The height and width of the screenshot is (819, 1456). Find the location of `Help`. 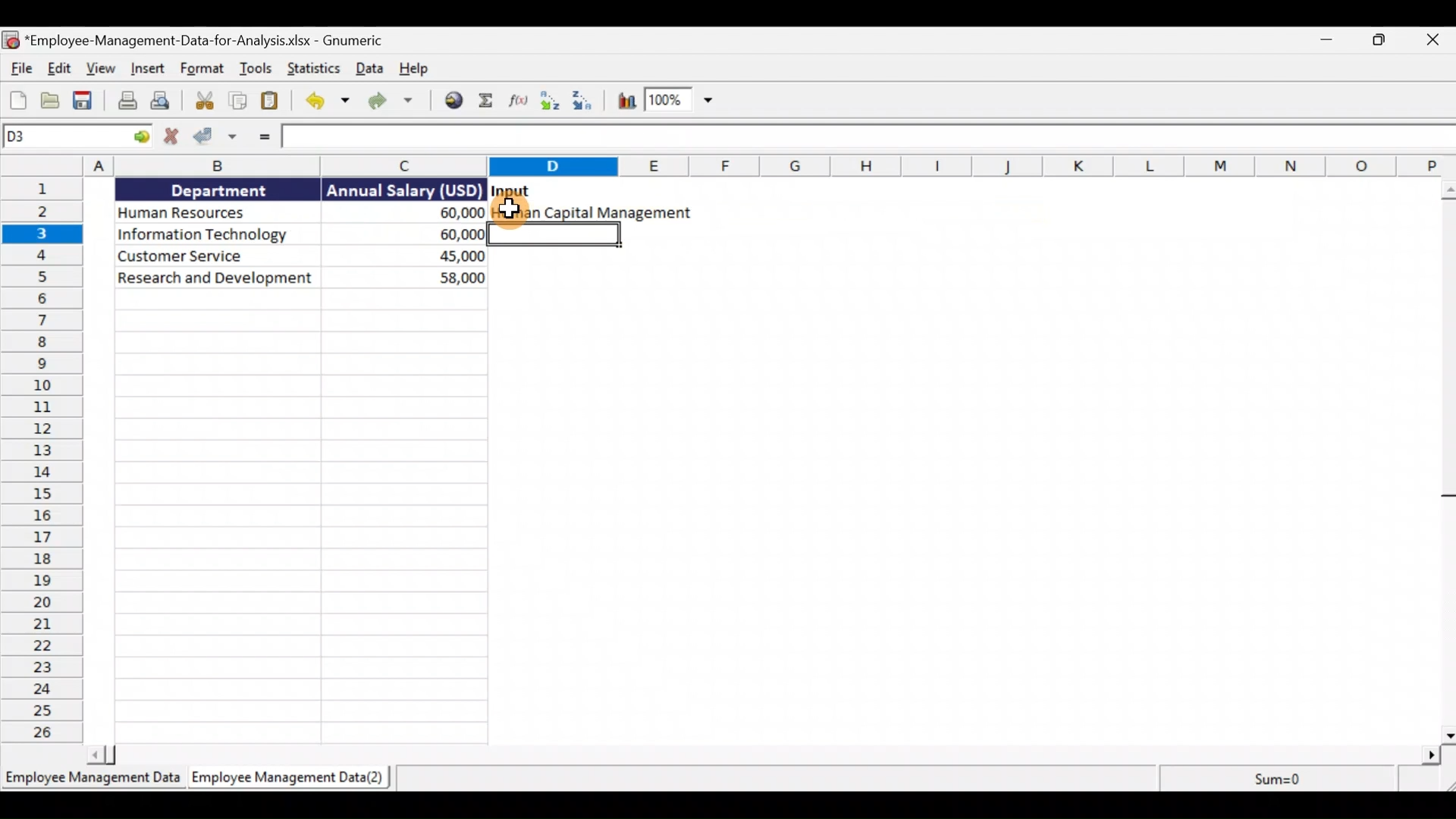

Help is located at coordinates (418, 69).